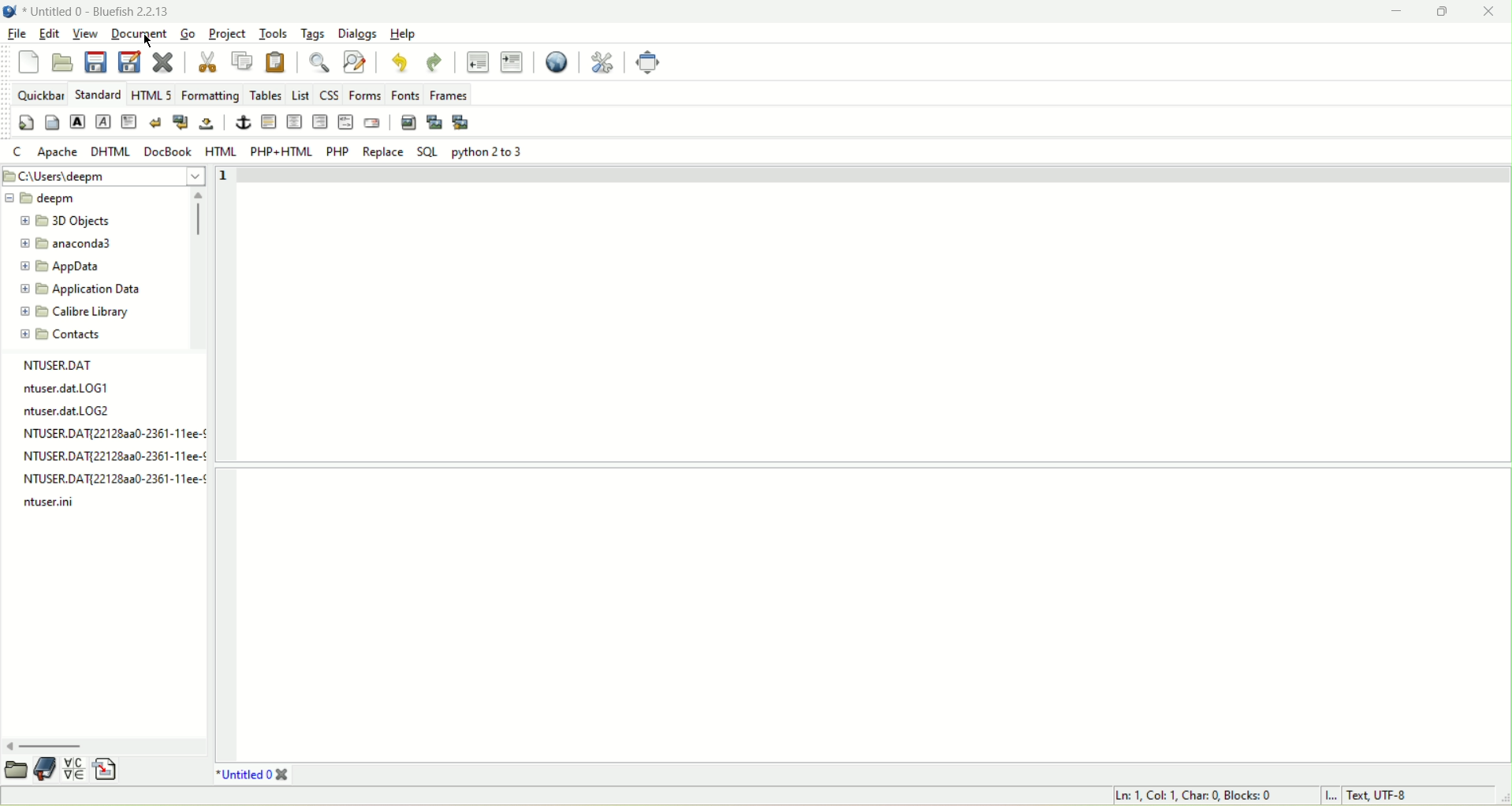 The width and height of the screenshot is (1512, 806). What do you see at coordinates (513, 62) in the screenshot?
I see `indent` at bounding box center [513, 62].